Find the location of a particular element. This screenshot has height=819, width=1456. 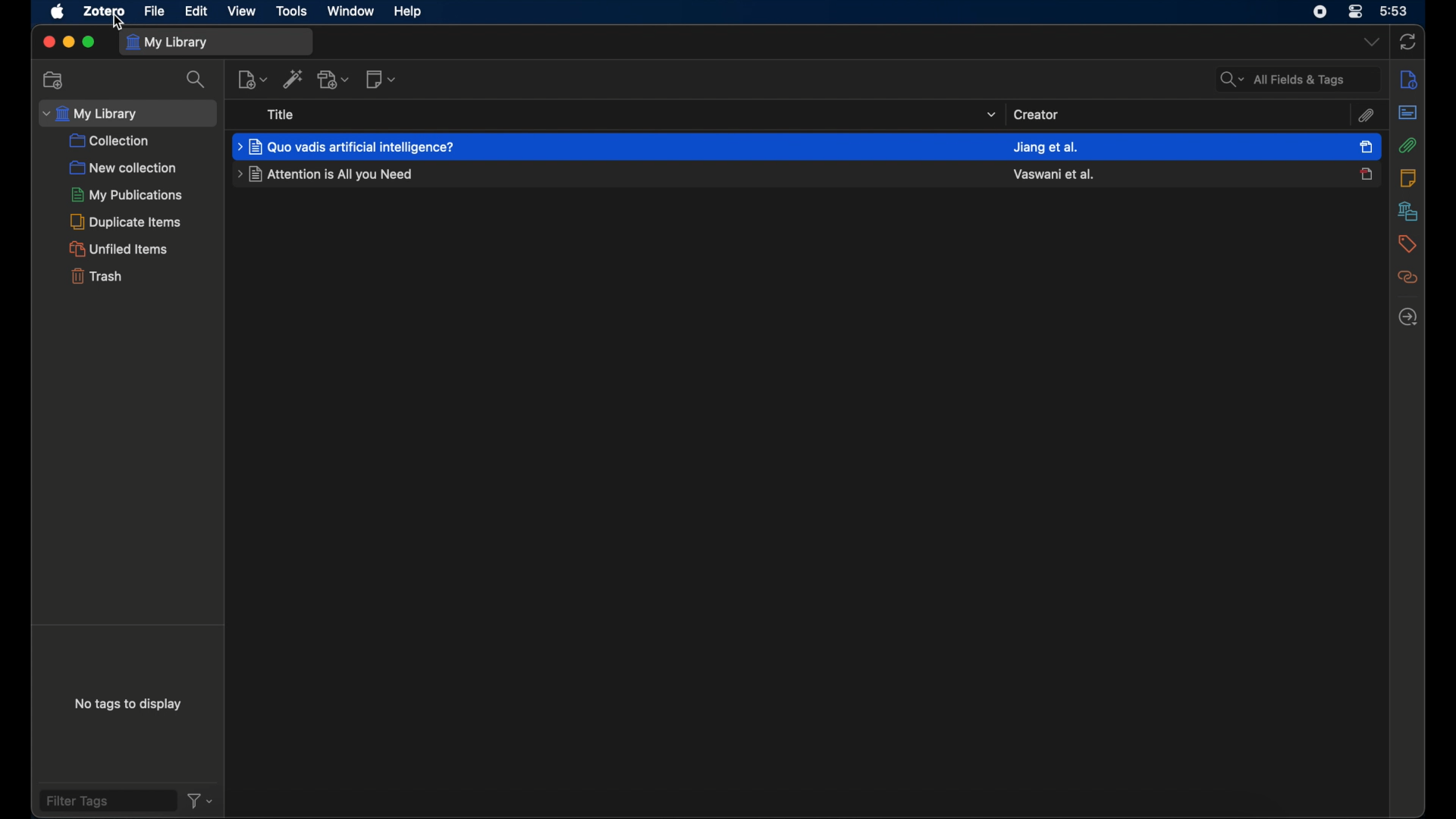

view is located at coordinates (243, 11).